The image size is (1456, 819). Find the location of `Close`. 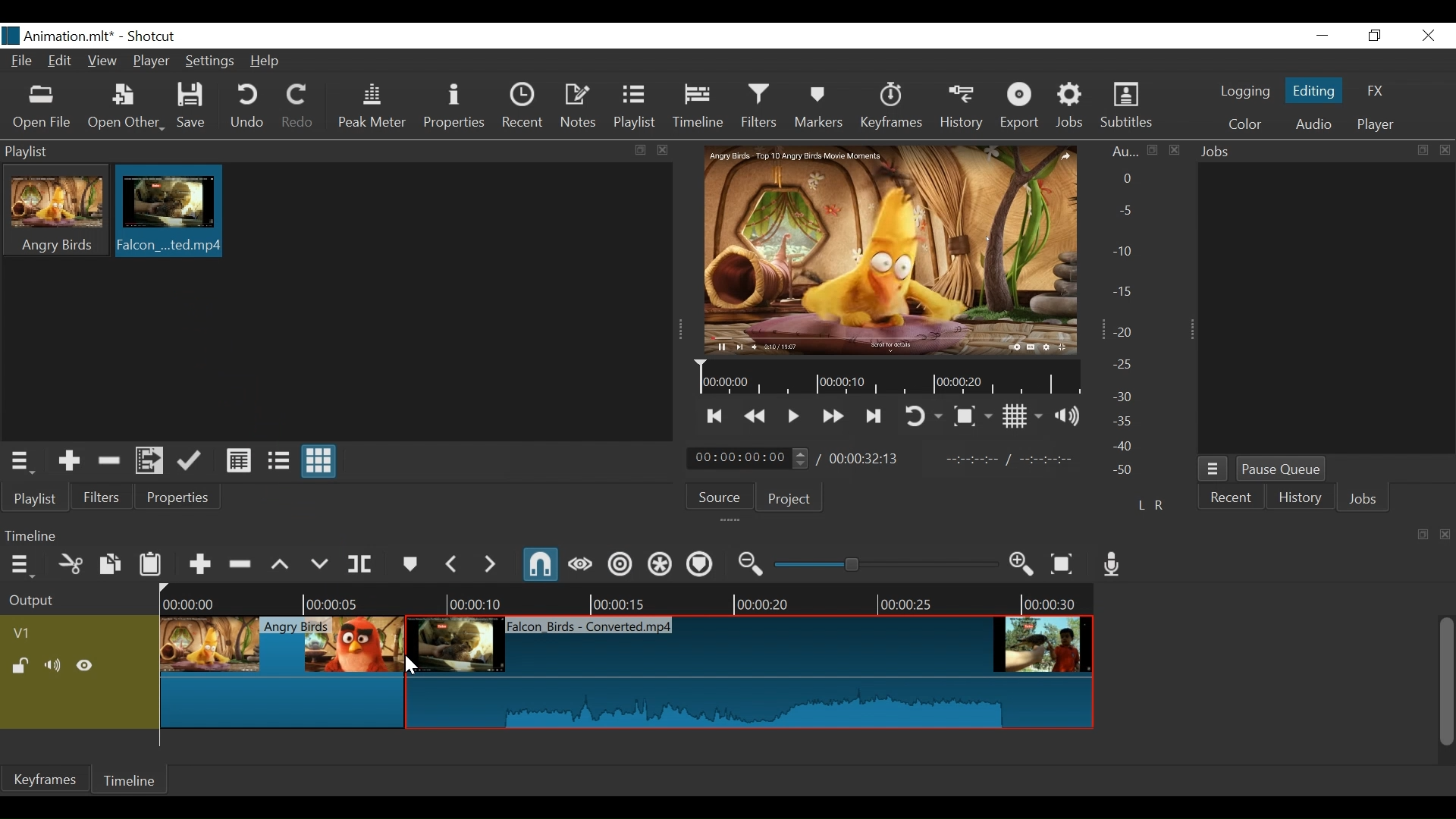

Close is located at coordinates (1429, 36).